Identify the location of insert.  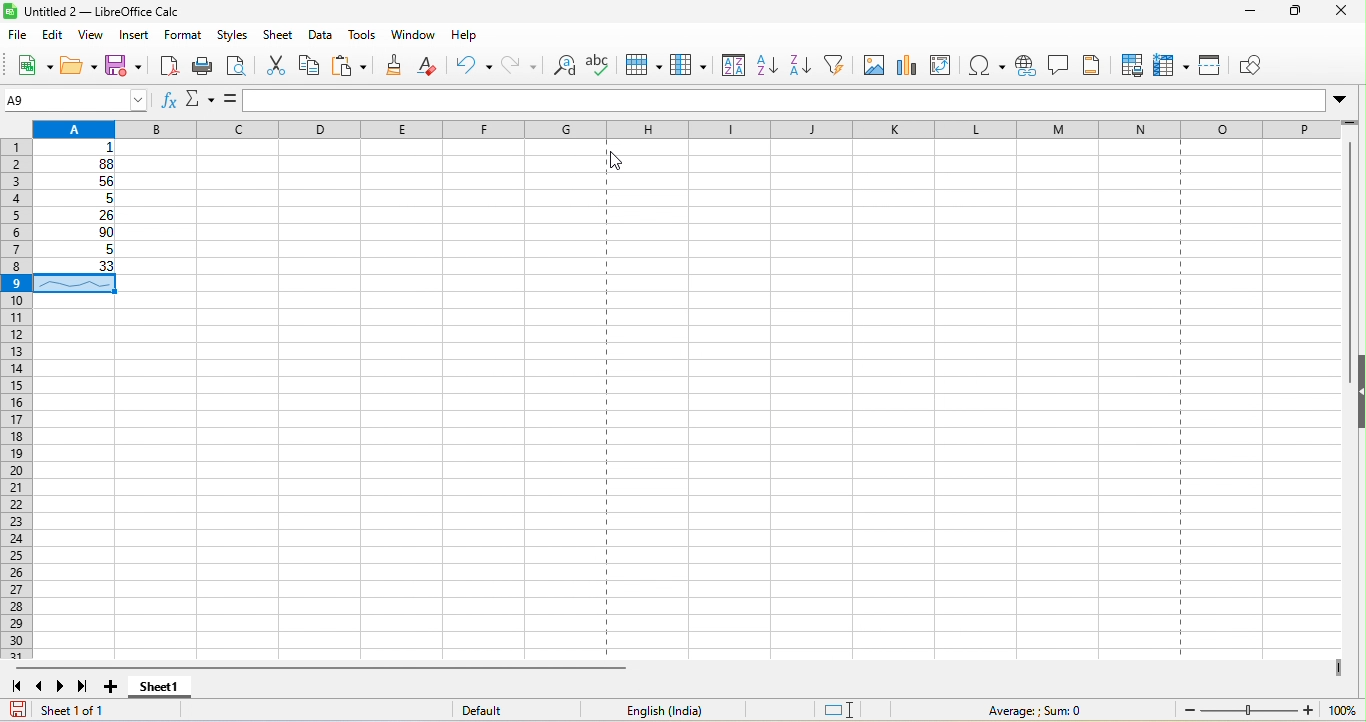
(136, 36).